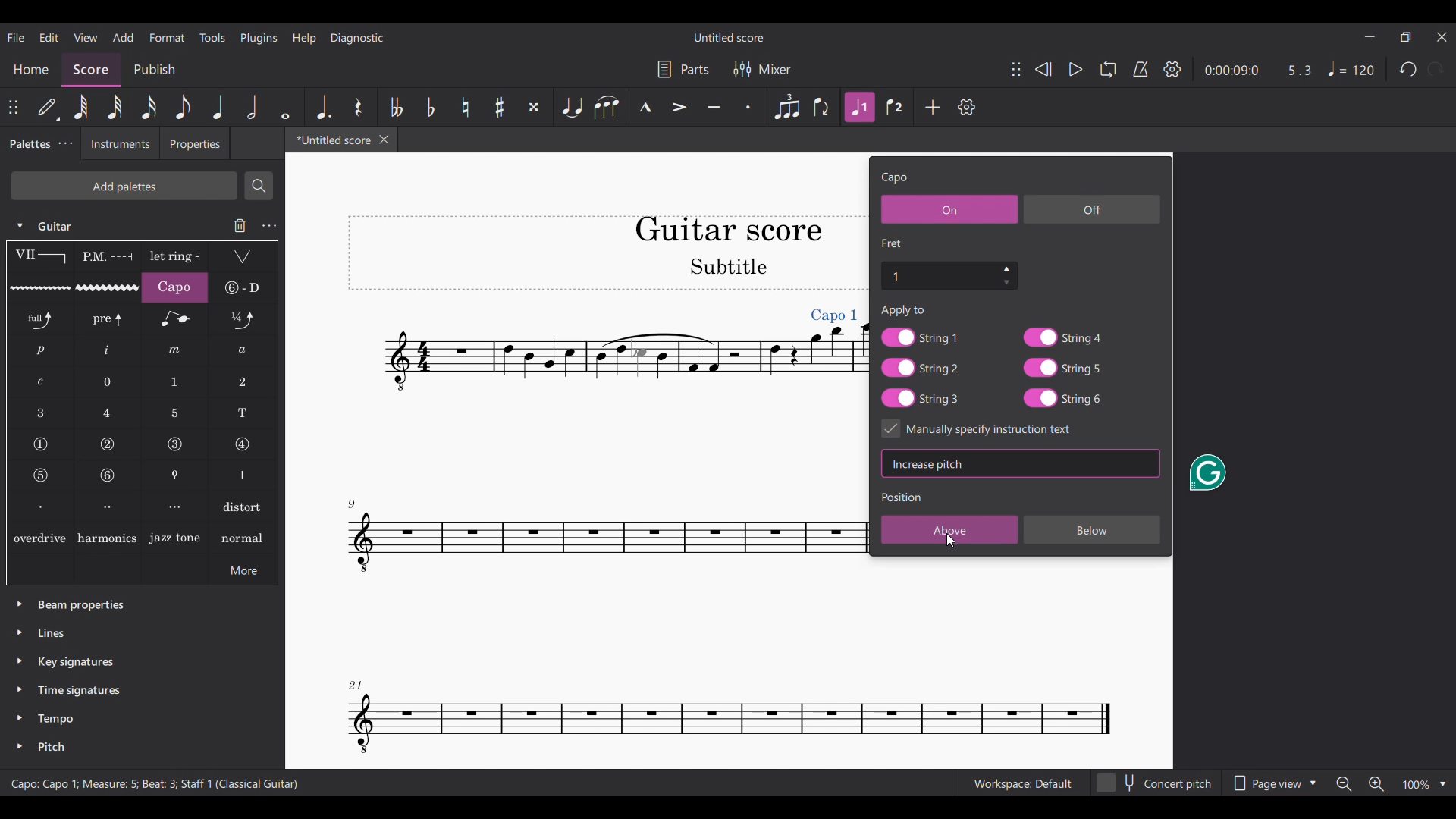 The image size is (1456, 819). What do you see at coordinates (1300, 71) in the screenshot?
I see `Current ratio` at bounding box center [1300, 71].